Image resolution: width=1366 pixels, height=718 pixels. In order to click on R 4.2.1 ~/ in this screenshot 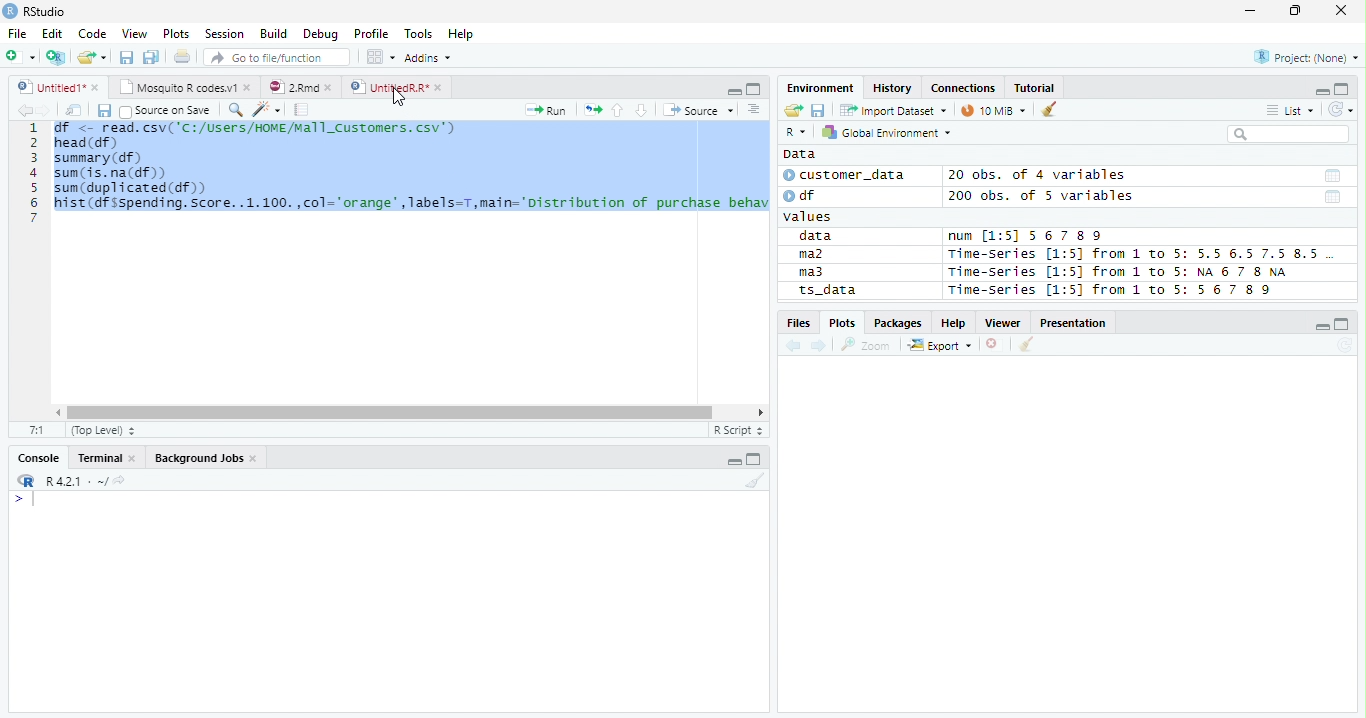, I will do `click(75, 480)`.